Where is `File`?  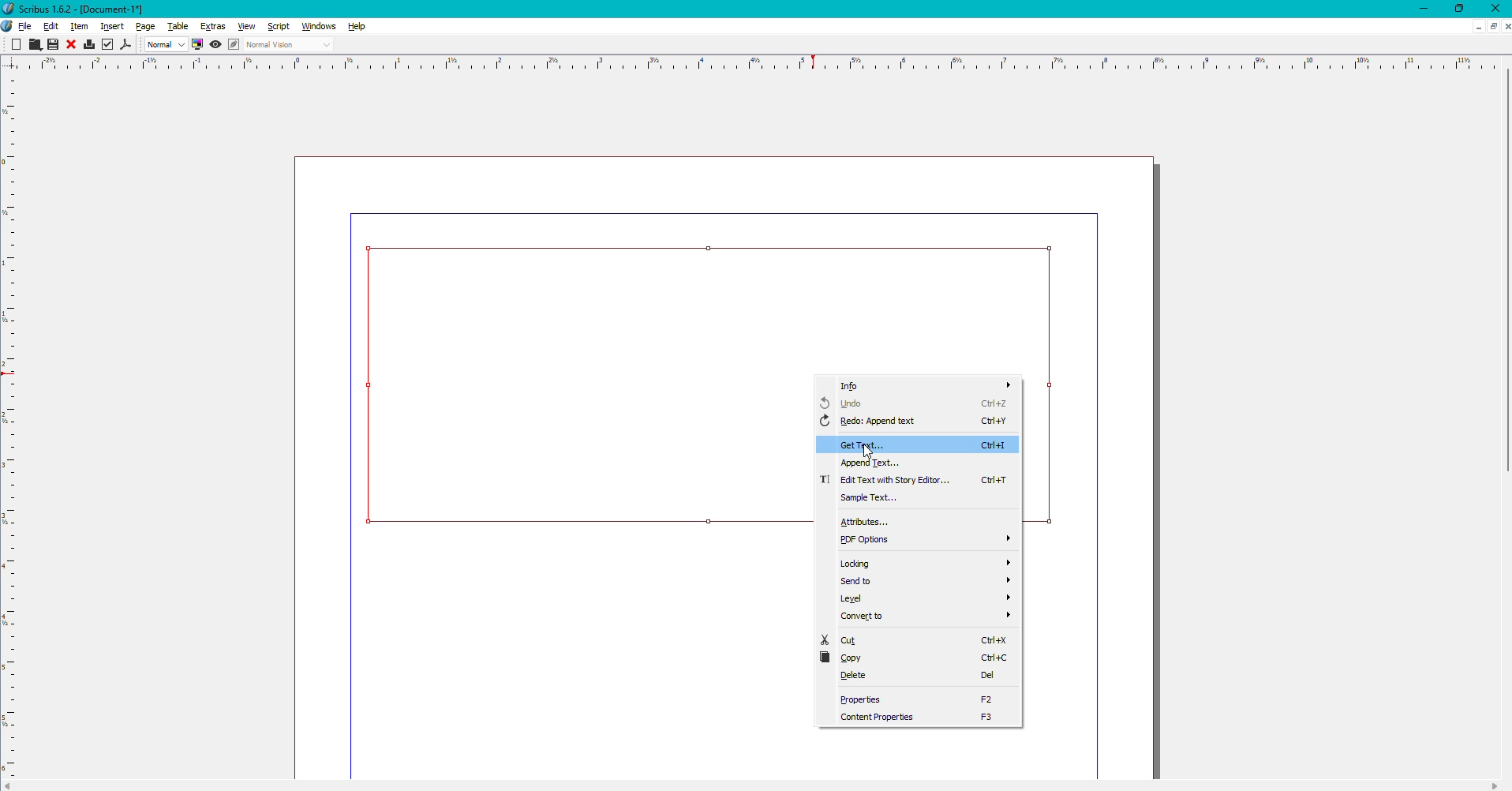
File is located at coordinates (24, 26).